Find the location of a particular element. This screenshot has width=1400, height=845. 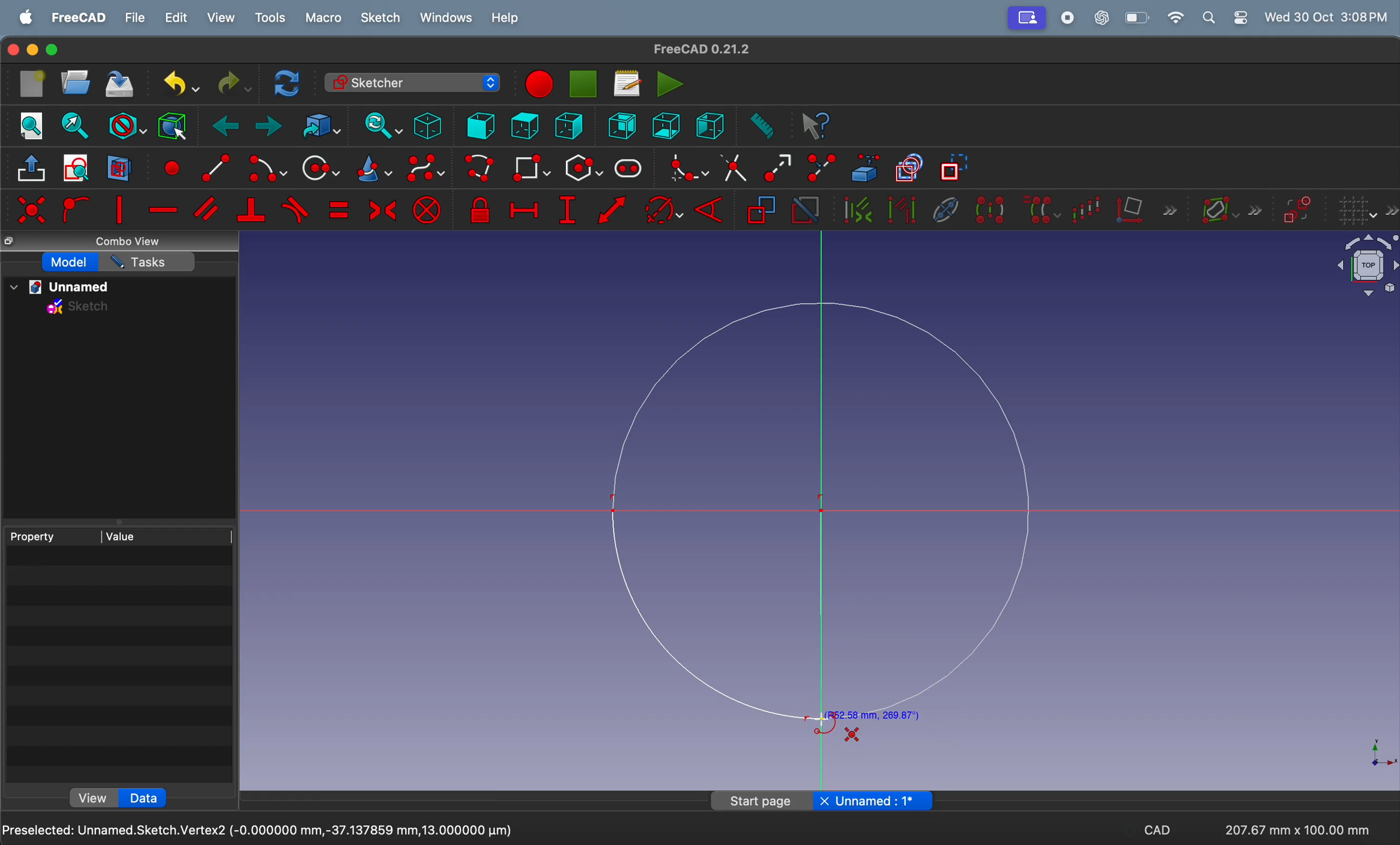

redo is located at coordinates (231, 83).